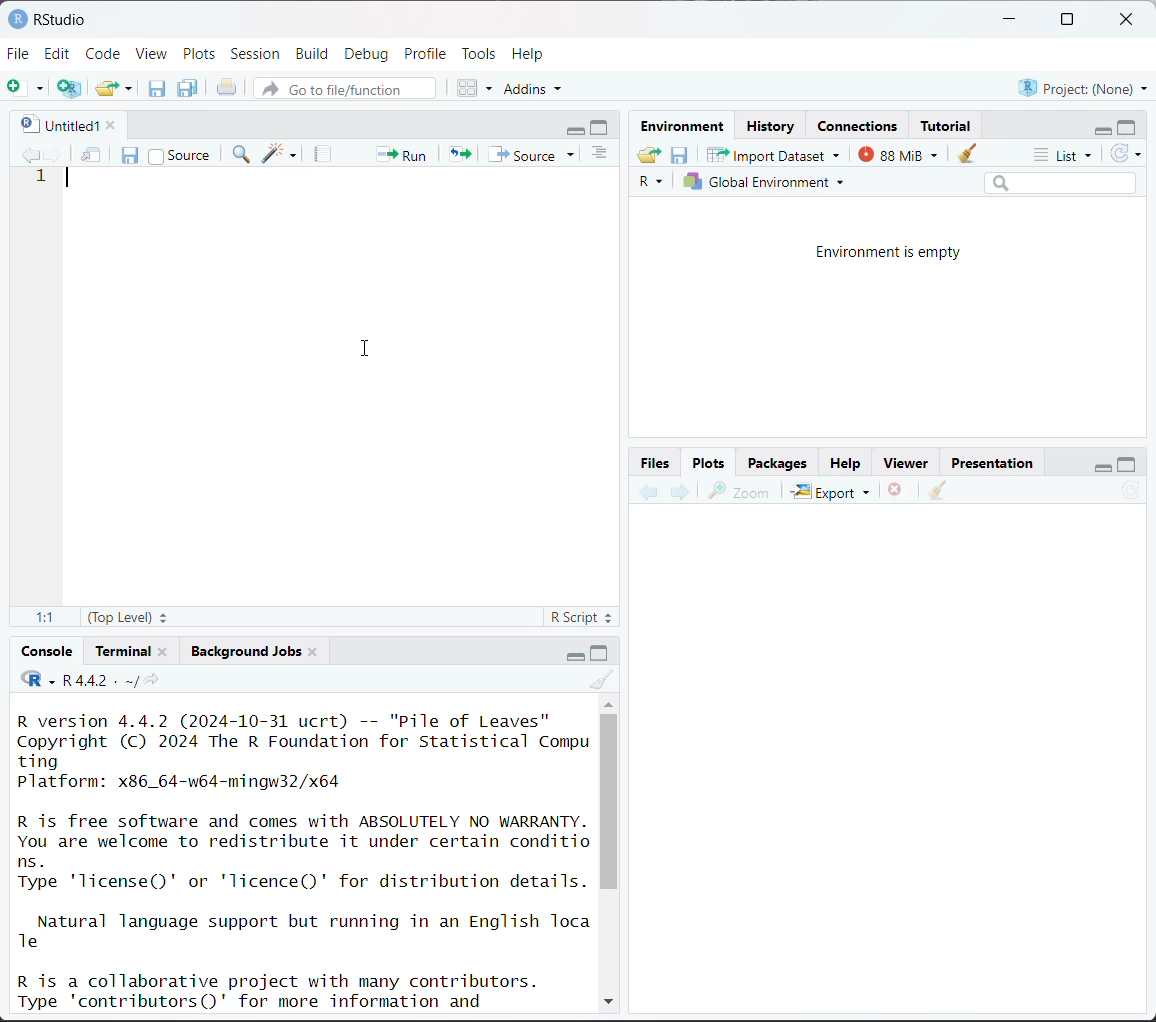 Image resolution: width=1156 pixels, height=1022 pixels. Describe the element at coordinates (910, 464) in the screenshot. I see `Viewer` at that location.